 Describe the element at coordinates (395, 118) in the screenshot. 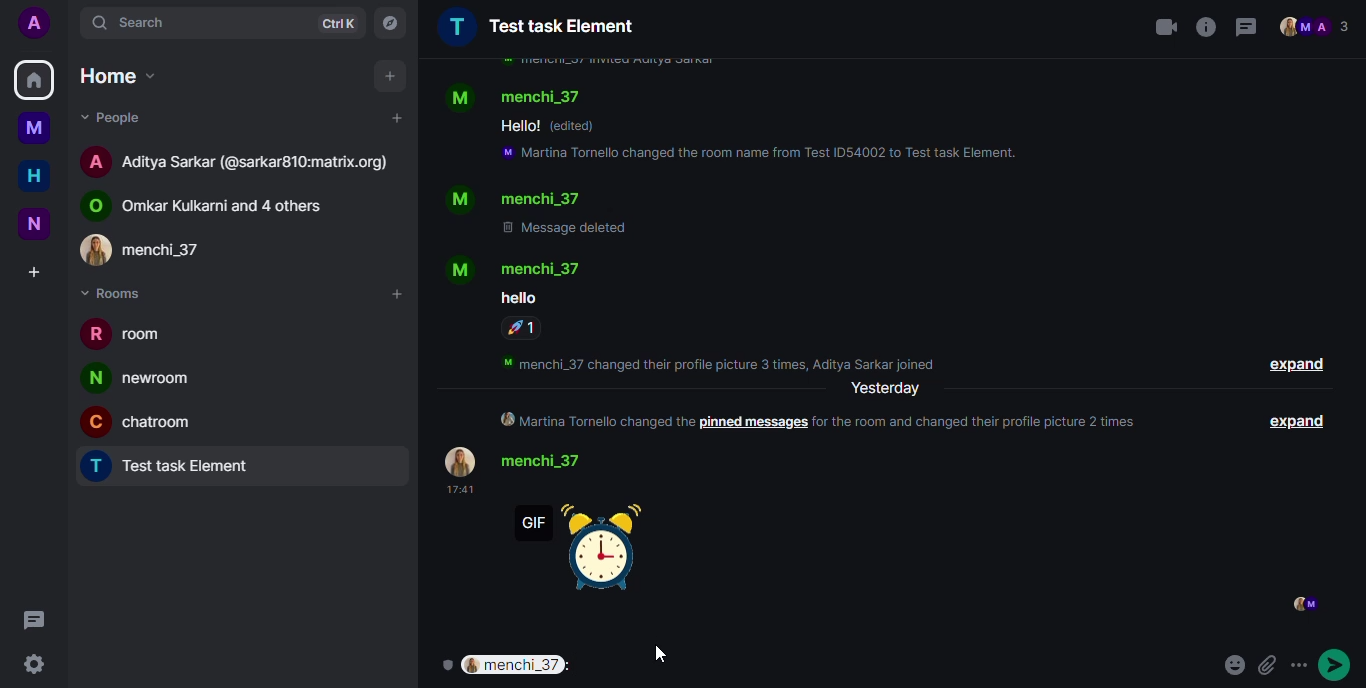

I see `add` at that location.